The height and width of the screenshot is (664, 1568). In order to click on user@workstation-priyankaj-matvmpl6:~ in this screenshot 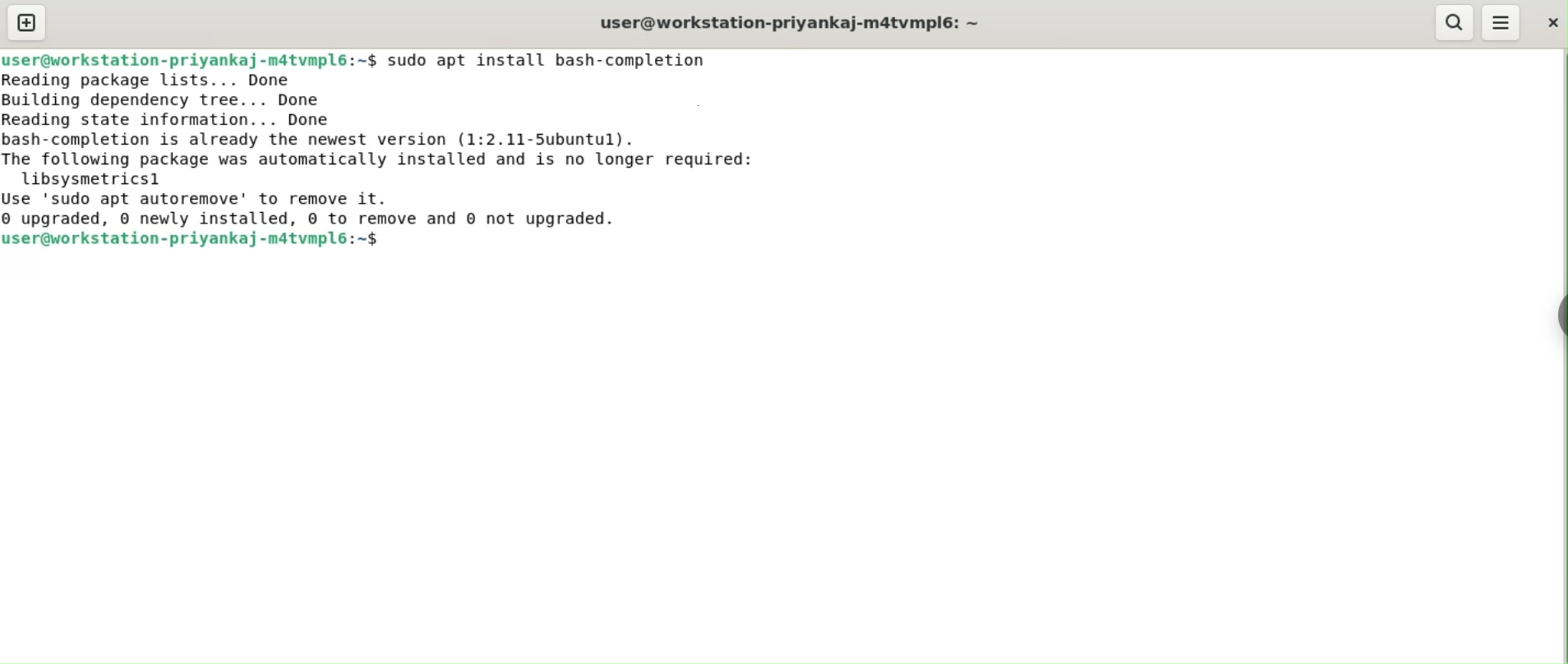, I will do `click(177, 57)`.